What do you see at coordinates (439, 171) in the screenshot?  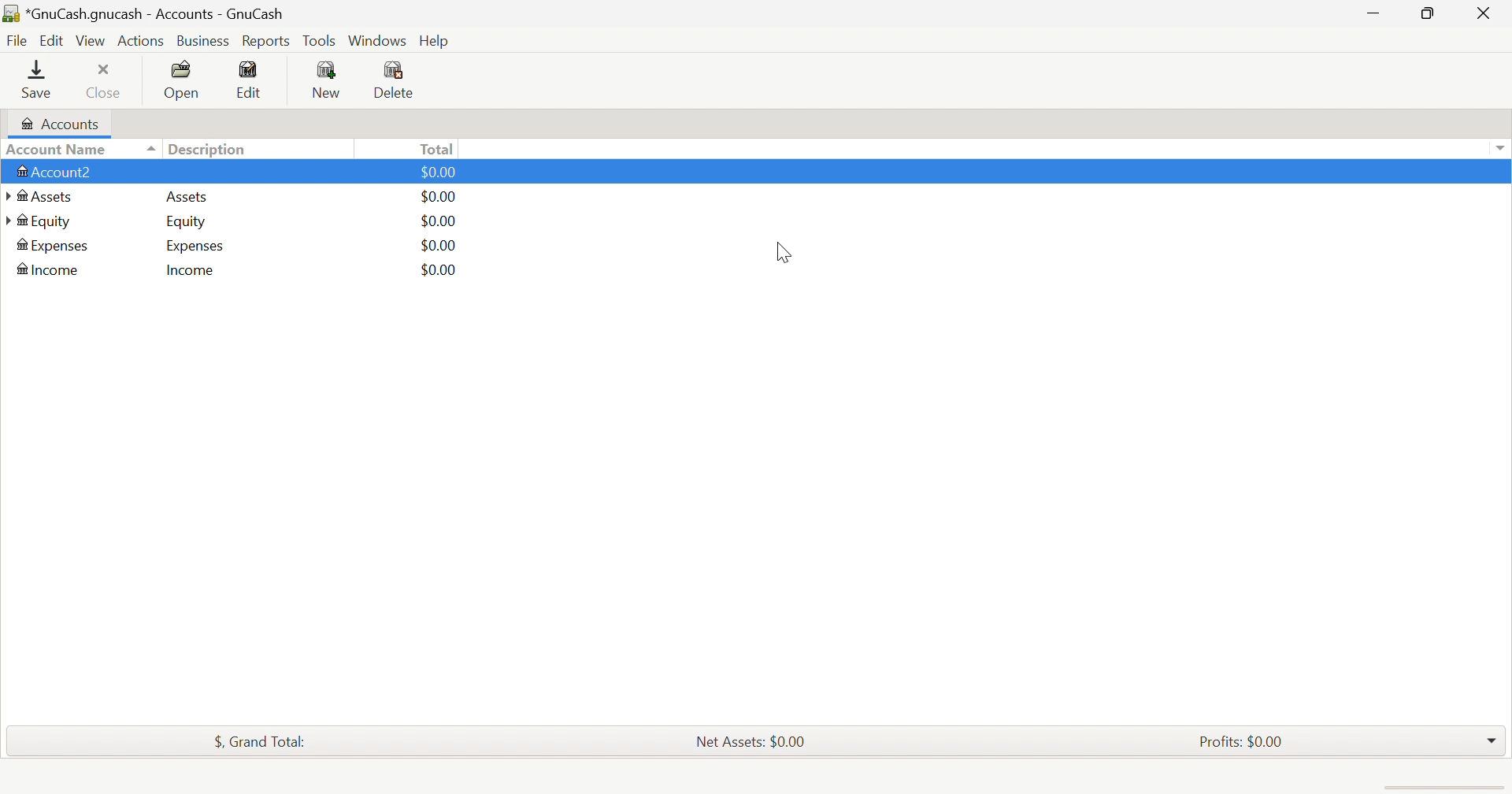 I see `$0.00` at bounding box center [439, 171].